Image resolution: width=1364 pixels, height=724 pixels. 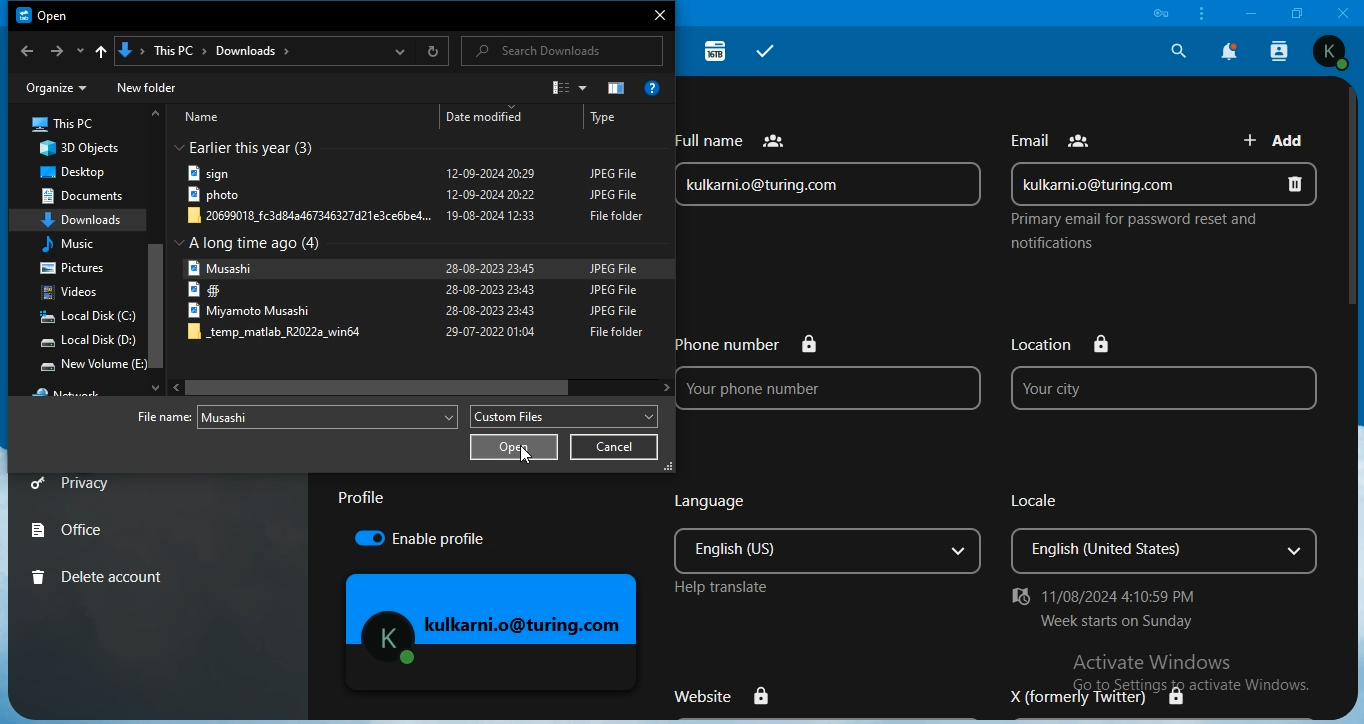 What do you see at coordinates (1292, 12) in the screenshot?
I see `restore window` at bounding box center [1292, 12].